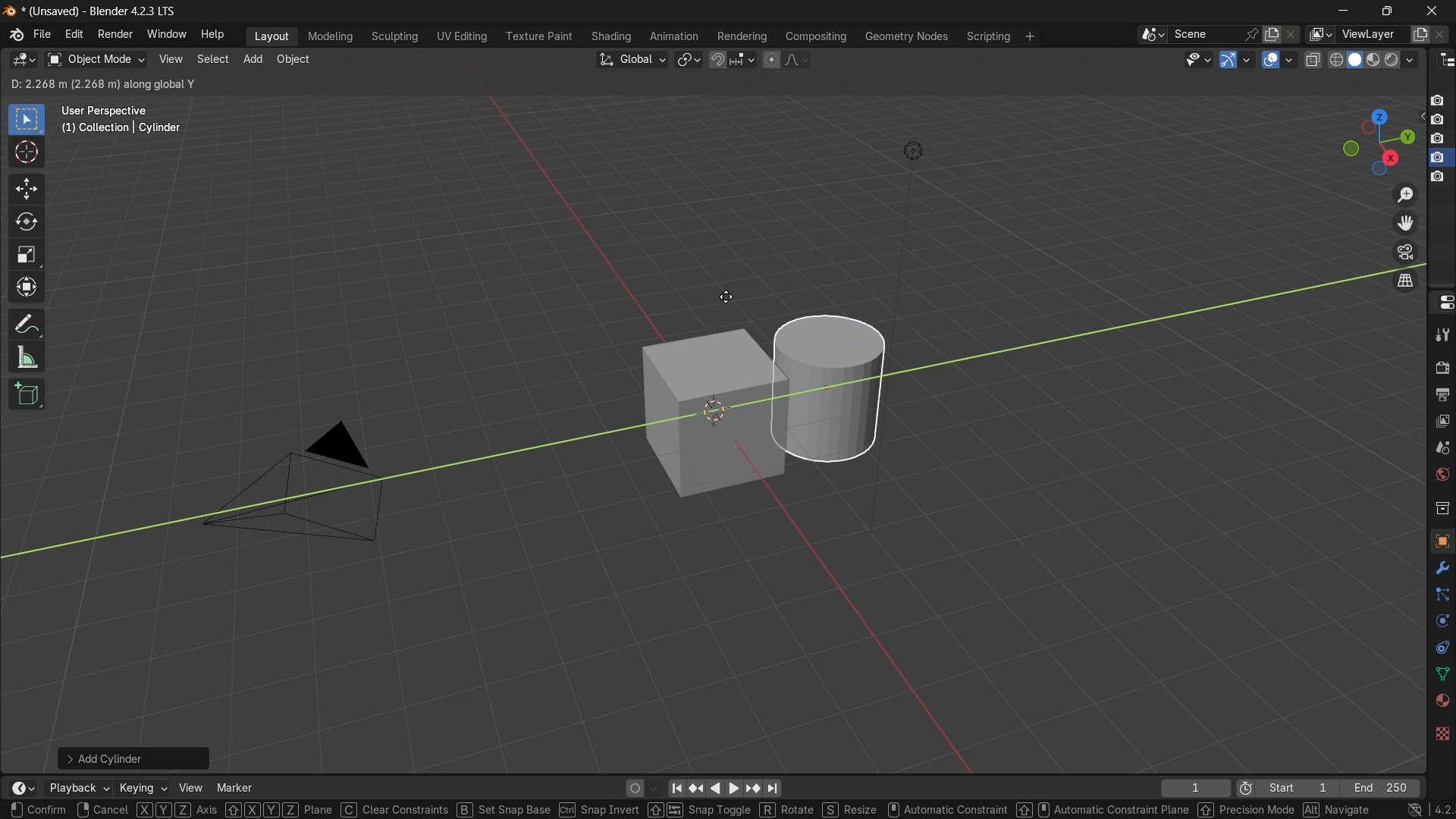 This screenshot has width=1456, height=819. I want to click on add workplace, so click(1030, 37).